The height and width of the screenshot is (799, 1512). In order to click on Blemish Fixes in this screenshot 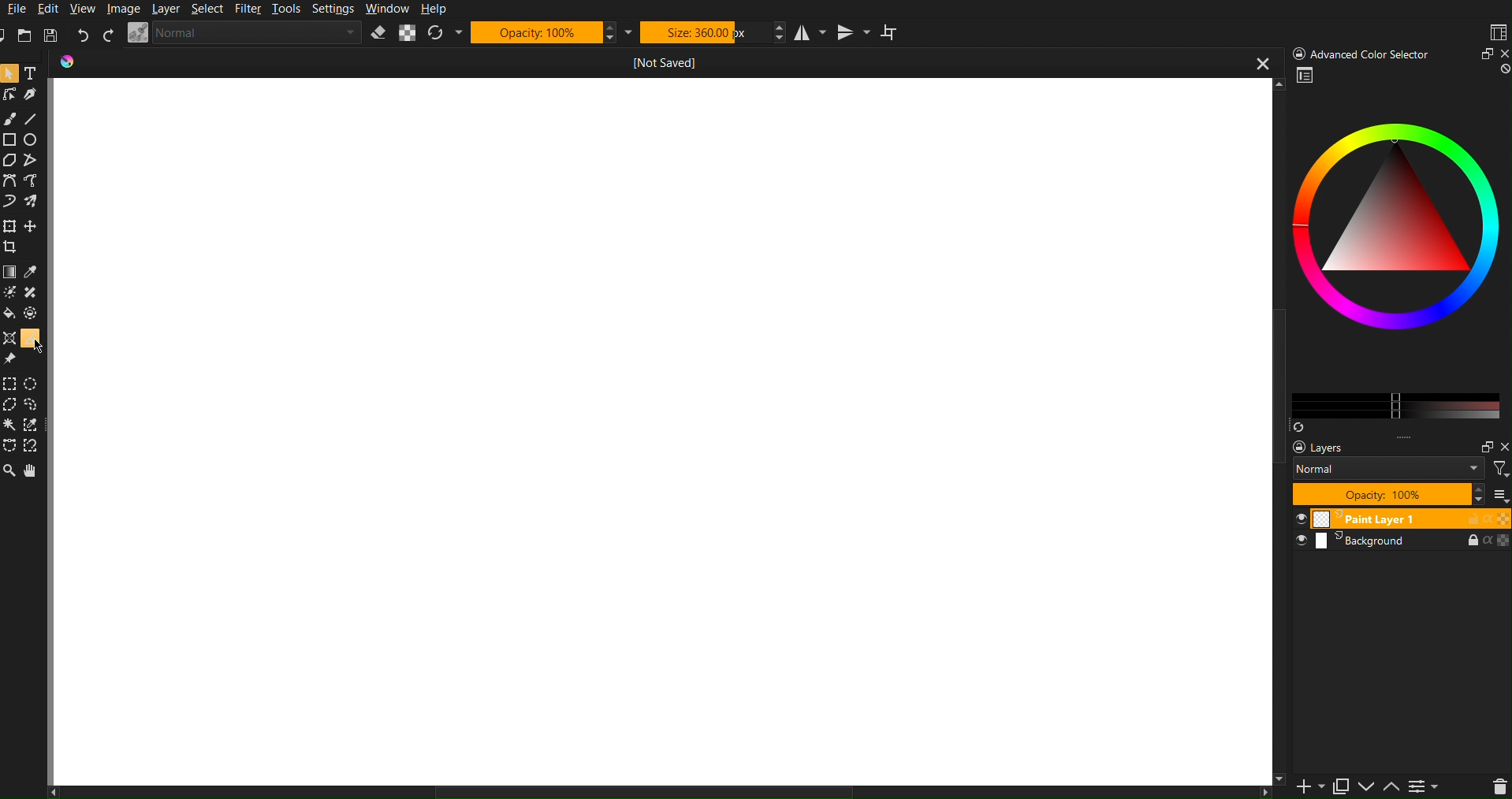, I will do `click(33, 294)`.